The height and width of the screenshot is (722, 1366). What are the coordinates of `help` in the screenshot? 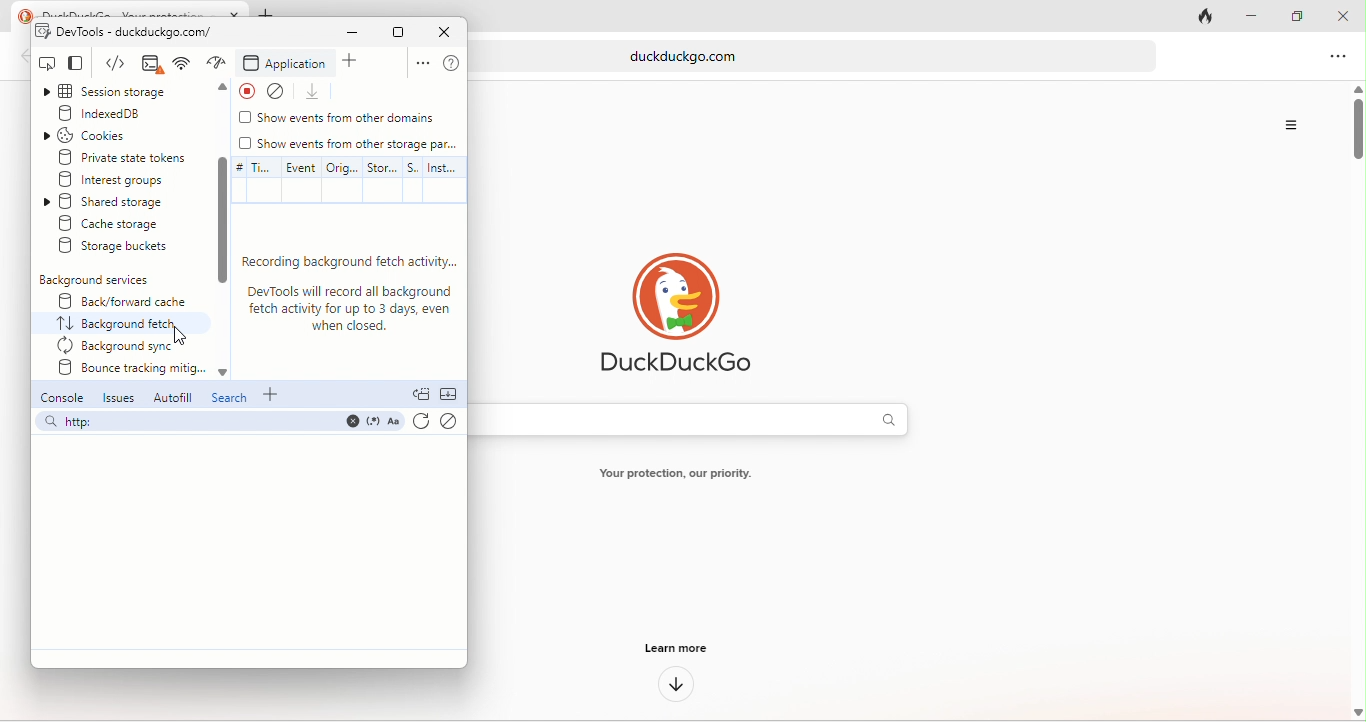 It's located at (452, 64).